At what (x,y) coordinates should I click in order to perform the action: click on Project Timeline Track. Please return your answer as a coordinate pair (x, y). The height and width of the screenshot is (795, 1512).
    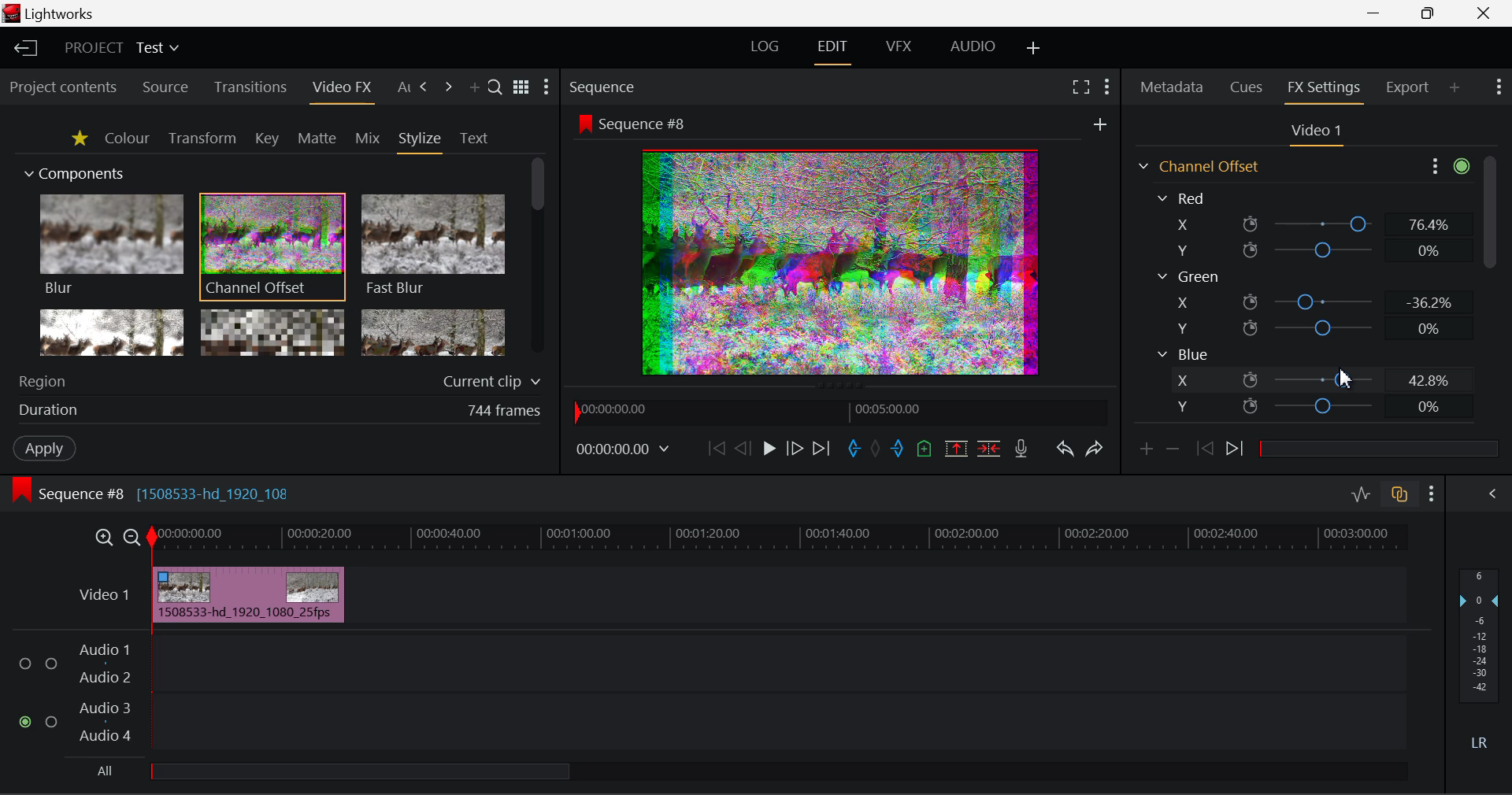
    Looking at the image, I should click on (780, 540).